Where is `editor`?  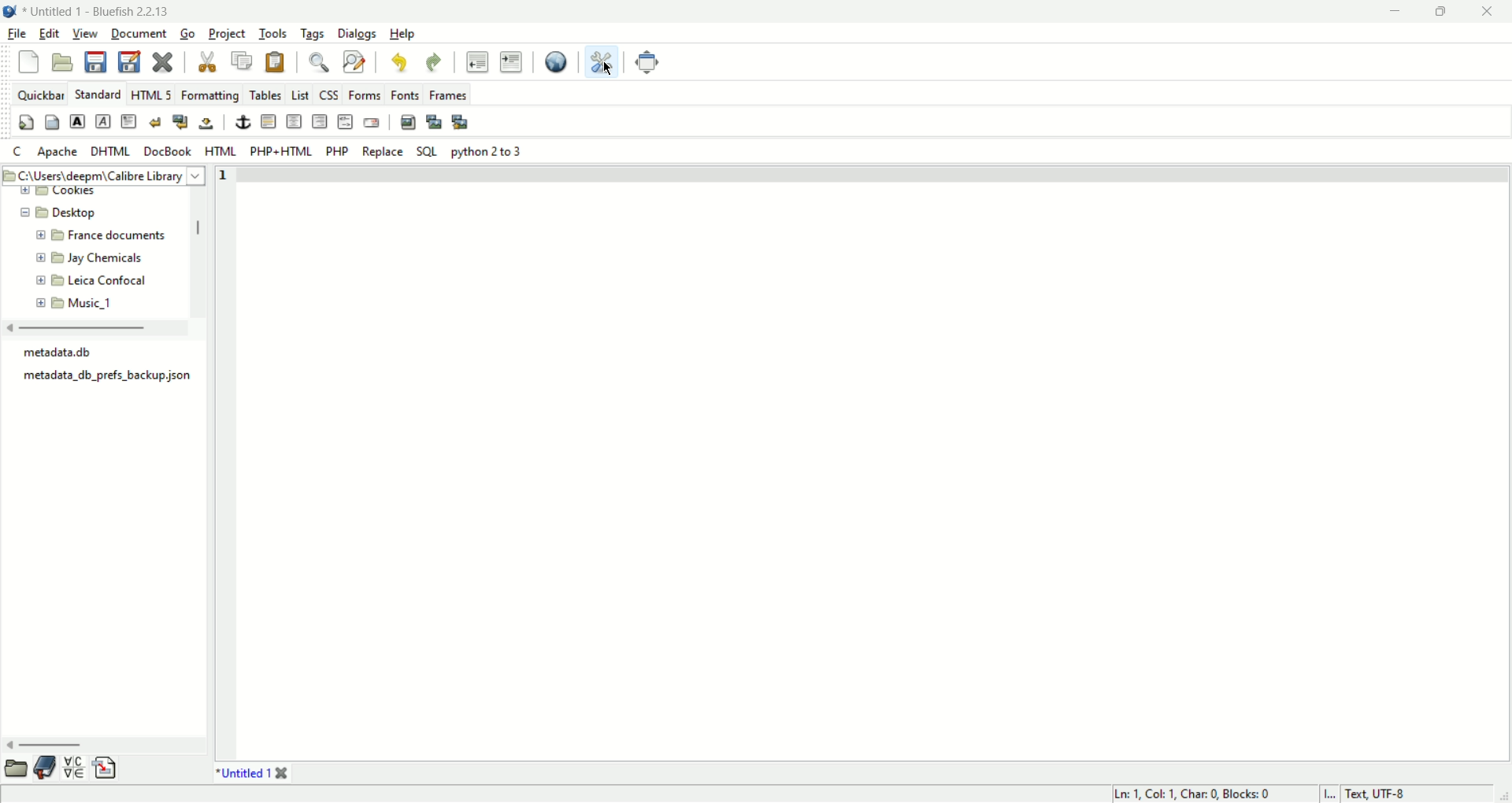 editor is located at coordinates (873, 469).